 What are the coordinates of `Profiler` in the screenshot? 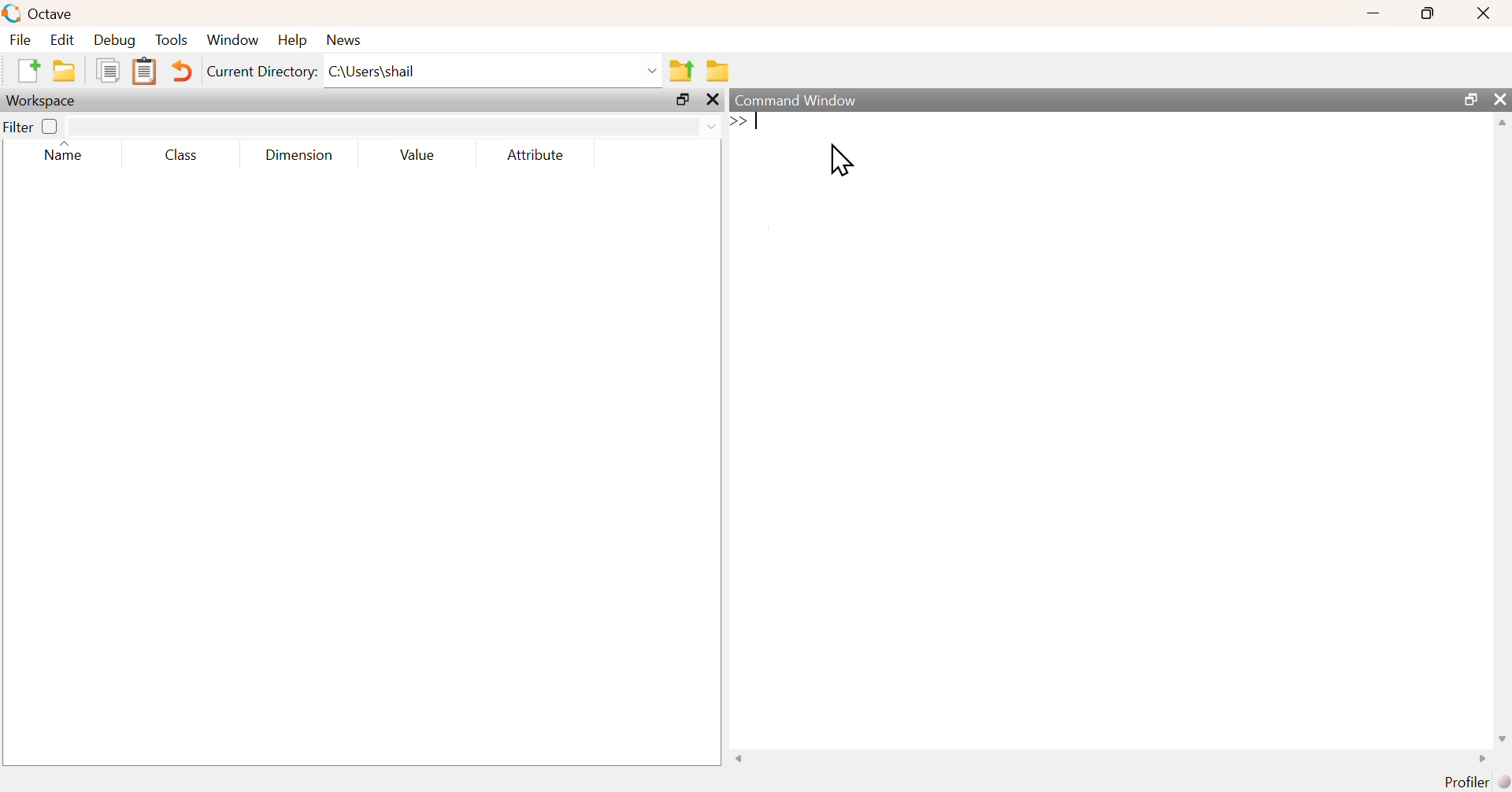 It's located at (1478, 783).